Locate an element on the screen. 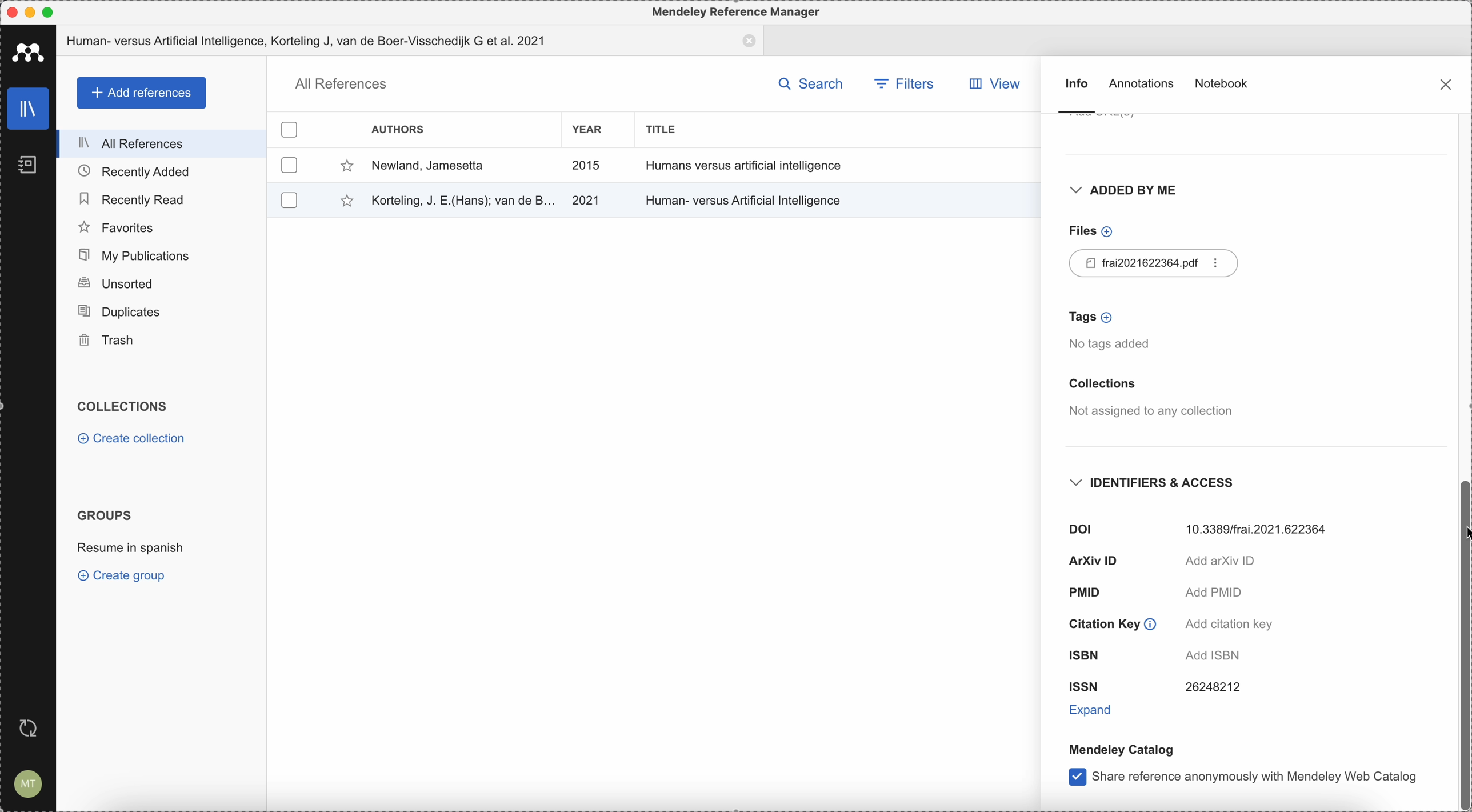  mendeley catalog is located at coordinates (1120, 749).